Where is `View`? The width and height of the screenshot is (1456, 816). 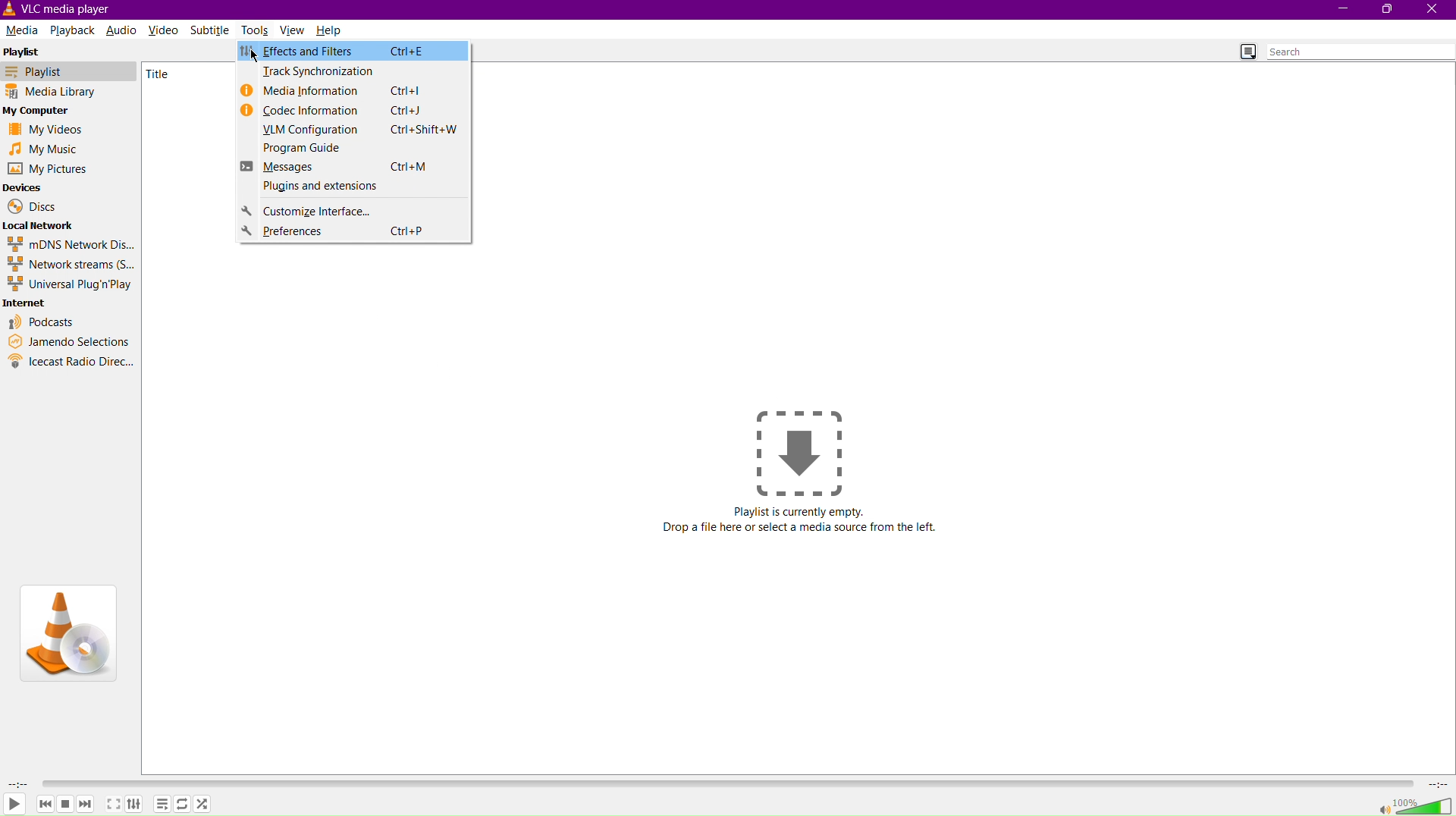
View is located at coordinates (293, 29).